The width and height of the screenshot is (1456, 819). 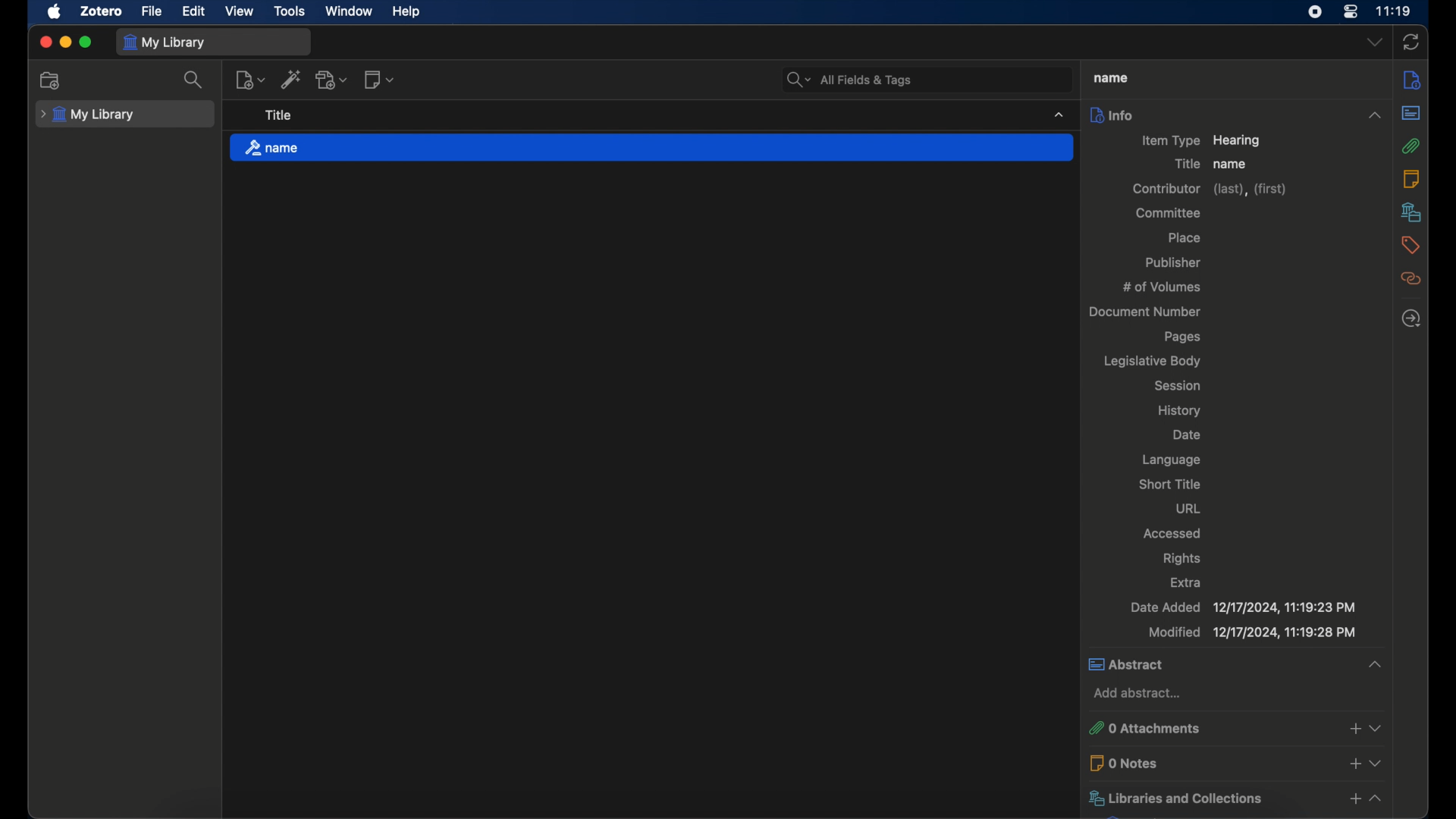 What do you see at coordinates (1251, 634) in the screenshot?
I see `modified` at bounding box center [1251, 634].